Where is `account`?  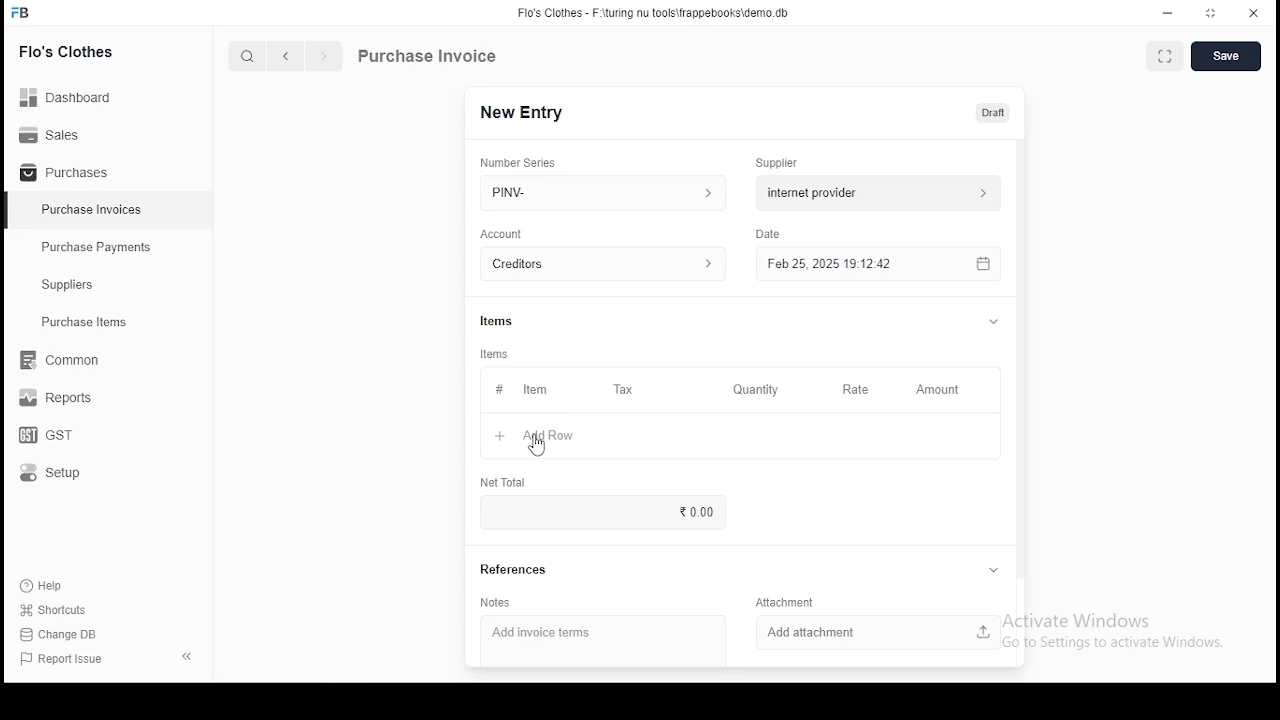
account is located at coordinates (604, 265).